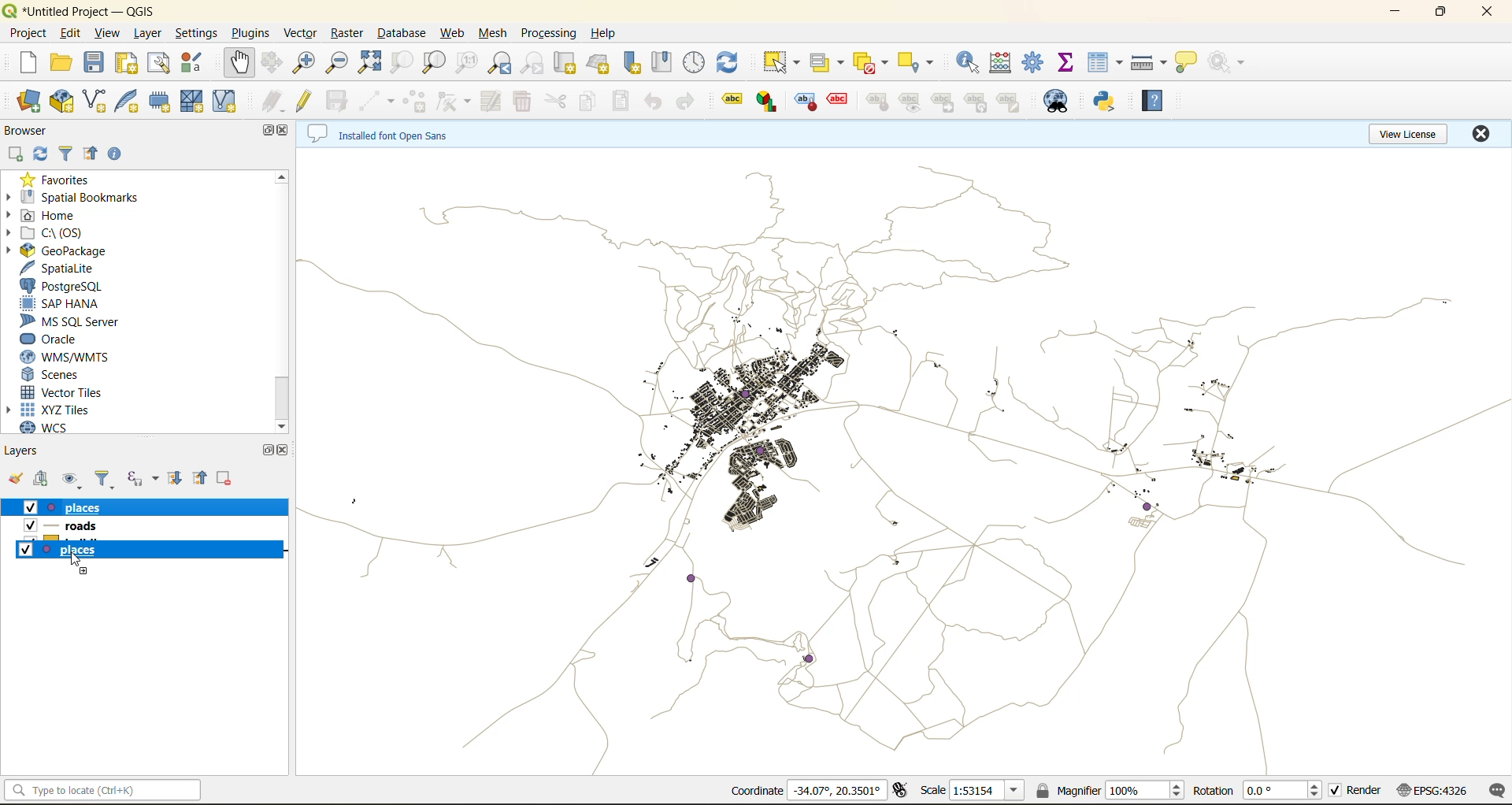  Describe the element at coordinates (272, 451) in the screenshot. I see `maximize` at that location.